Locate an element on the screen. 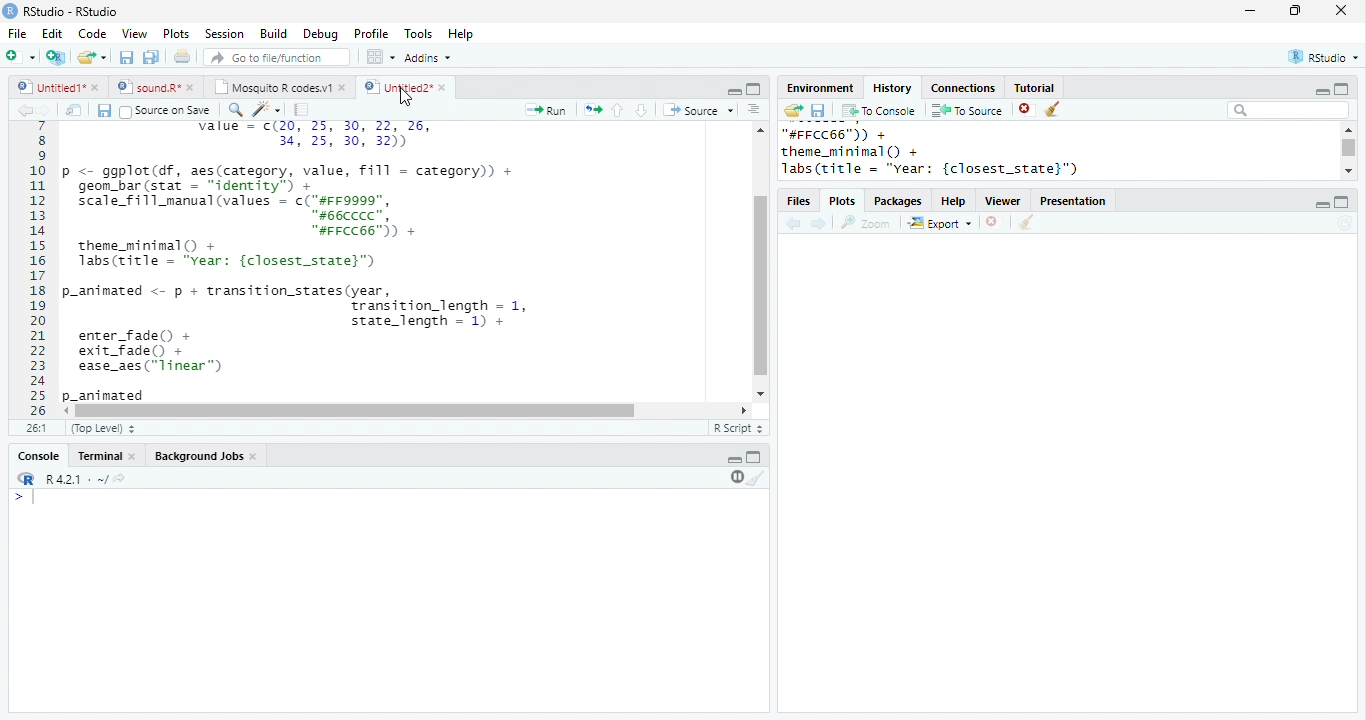  open folder is located at coordinates (794, 110).